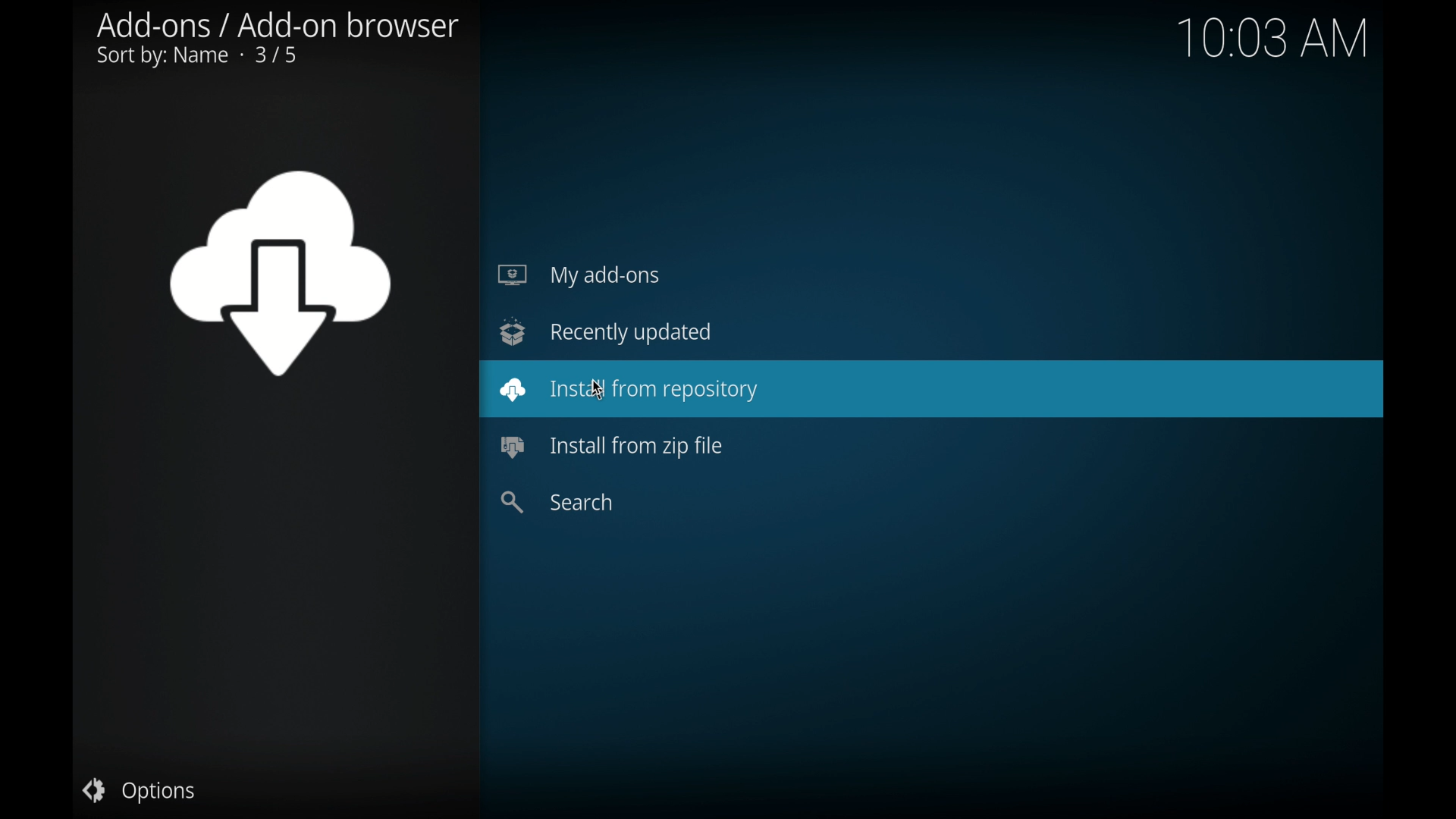 The height and width of the screenshot is (819, 1456). What do you see at coordinates (595, 390) in the screenshot?
I see `Cursor` at bounding box center [595, 390].